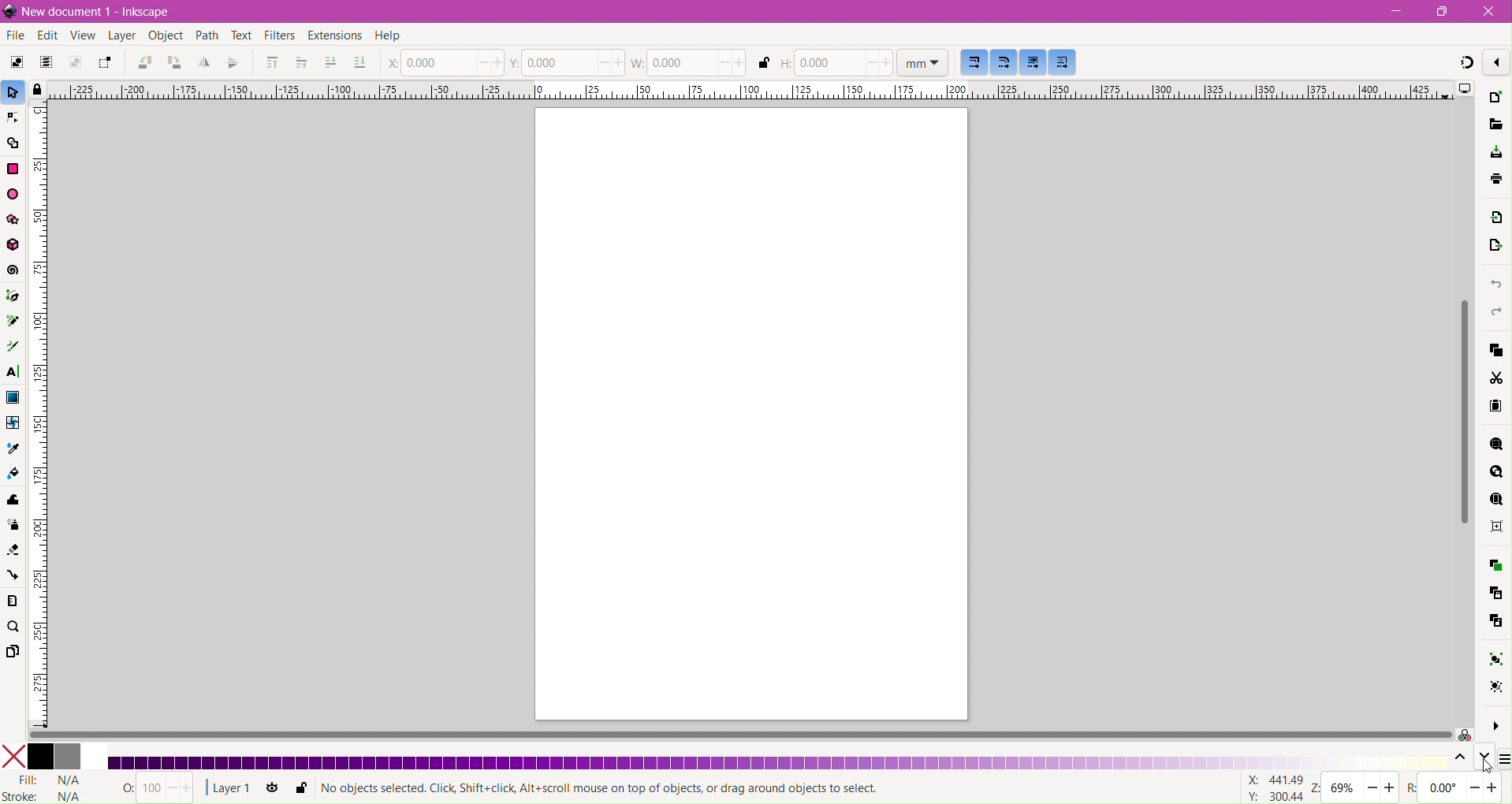  I want to click on Riase to Top, so click(270, 65).